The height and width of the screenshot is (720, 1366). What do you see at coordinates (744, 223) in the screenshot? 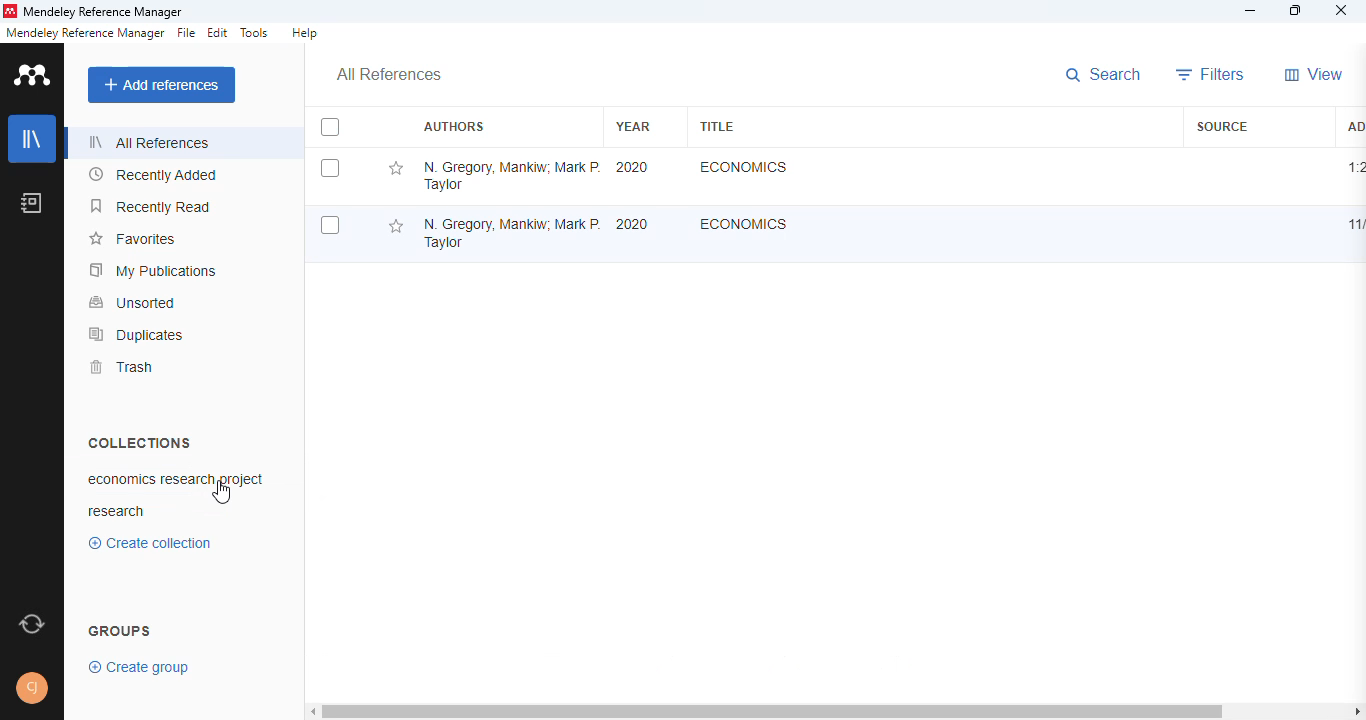
I see `Economics` at bounding box center [744, 223].